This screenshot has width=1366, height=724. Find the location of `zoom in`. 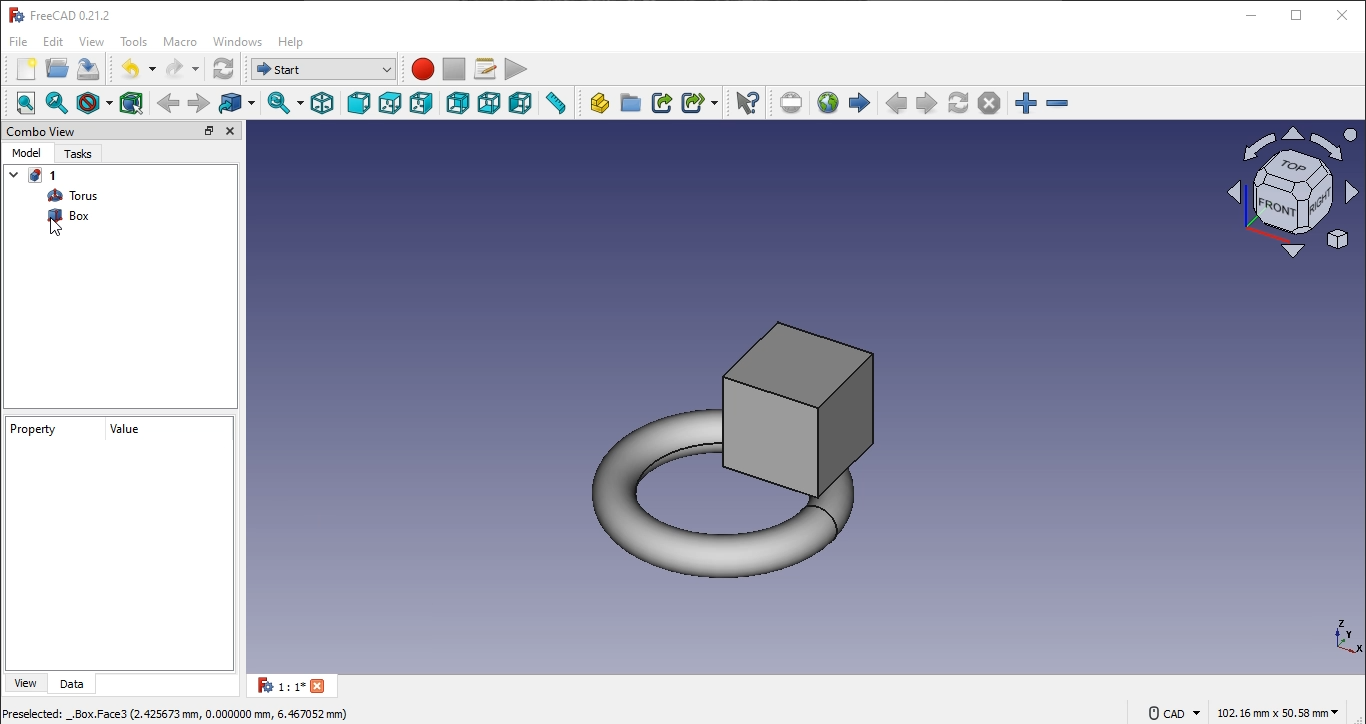

zoom in is located at coordinates (1057, 102).